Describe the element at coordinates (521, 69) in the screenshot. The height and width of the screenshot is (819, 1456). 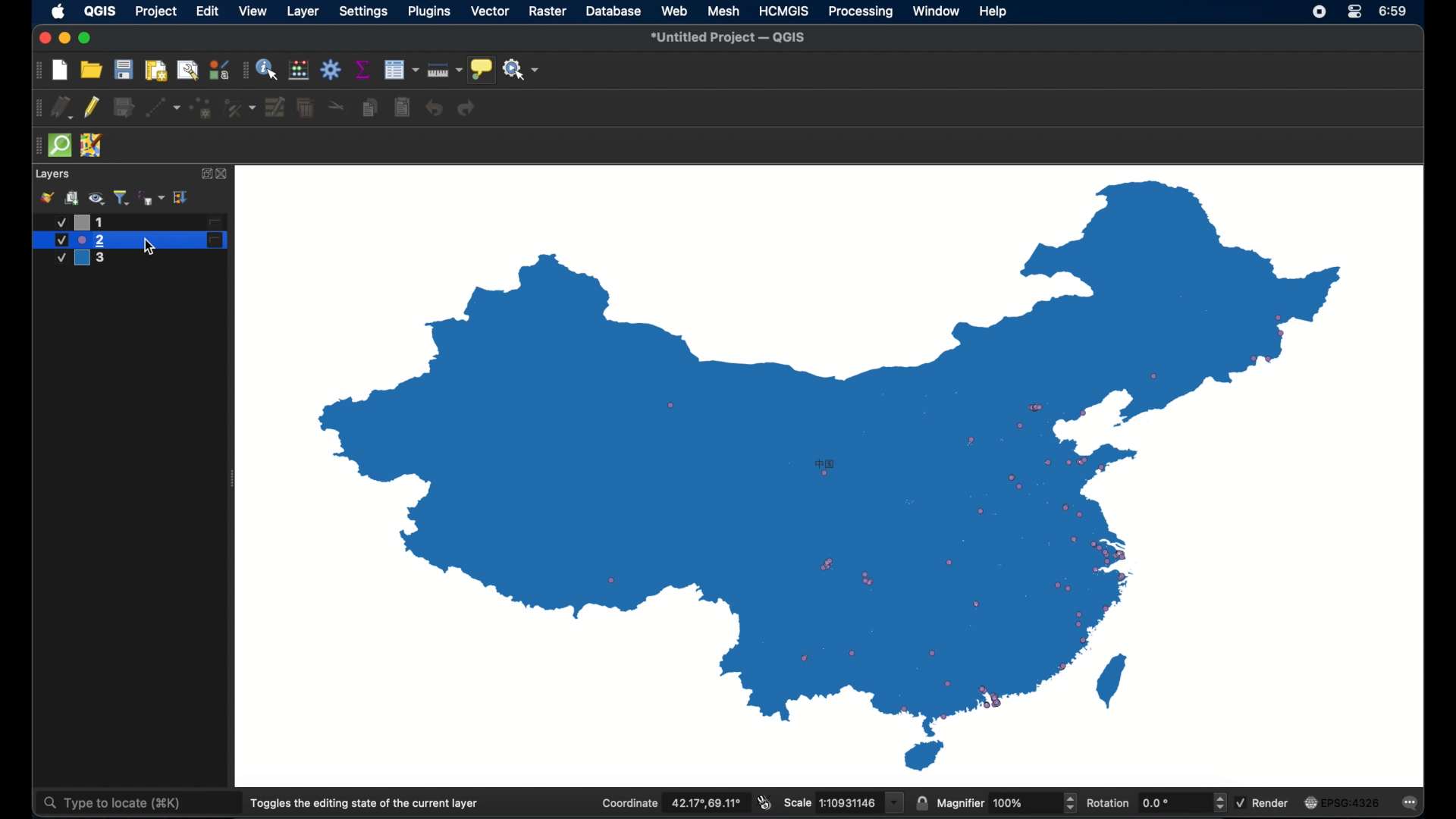
I see `no action selected` at that location.